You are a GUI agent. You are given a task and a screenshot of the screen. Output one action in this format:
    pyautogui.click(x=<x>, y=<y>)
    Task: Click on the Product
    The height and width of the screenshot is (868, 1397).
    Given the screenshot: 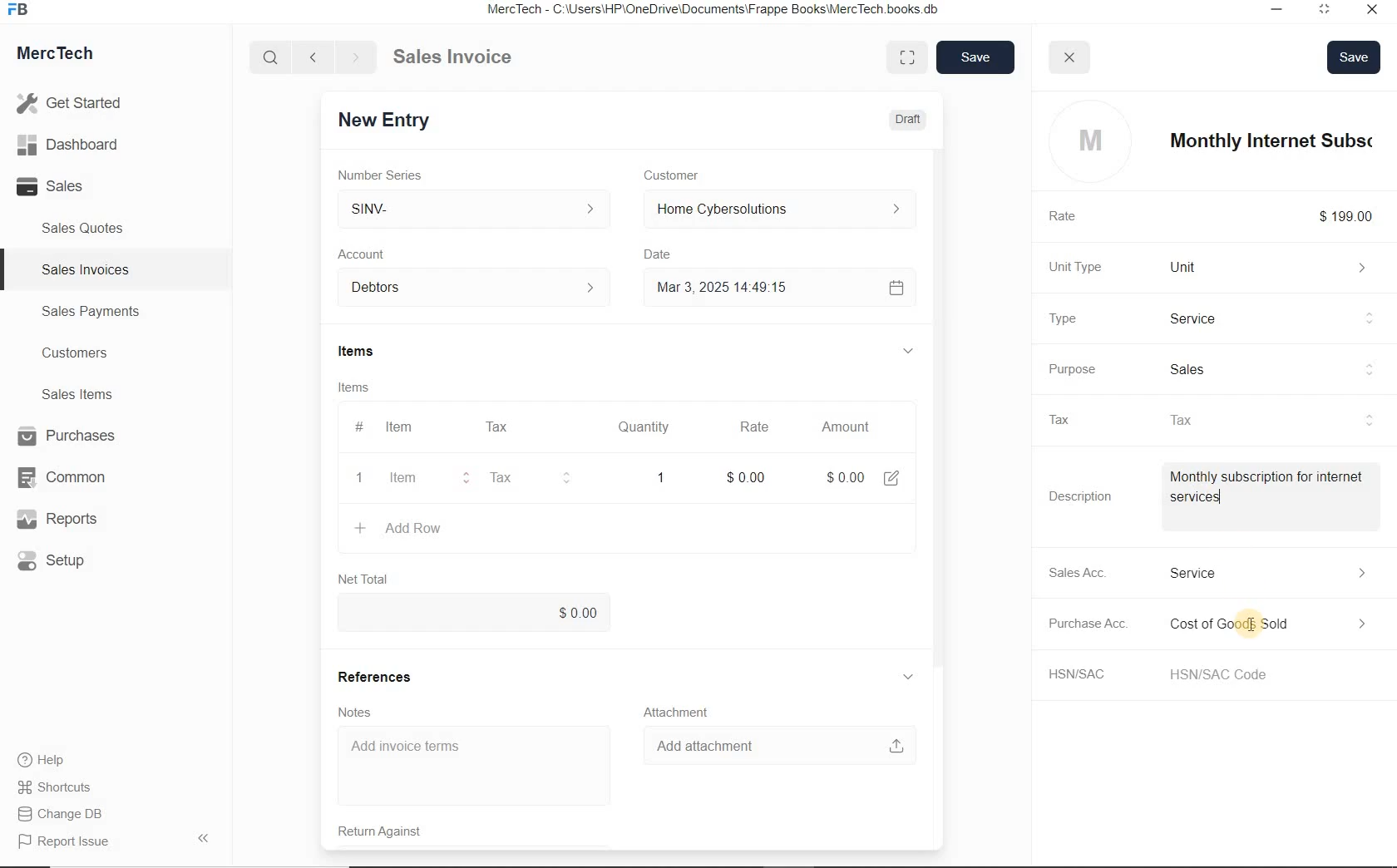 What is the action you would take?
    pyautogui.click(x=1261, y=318)
    